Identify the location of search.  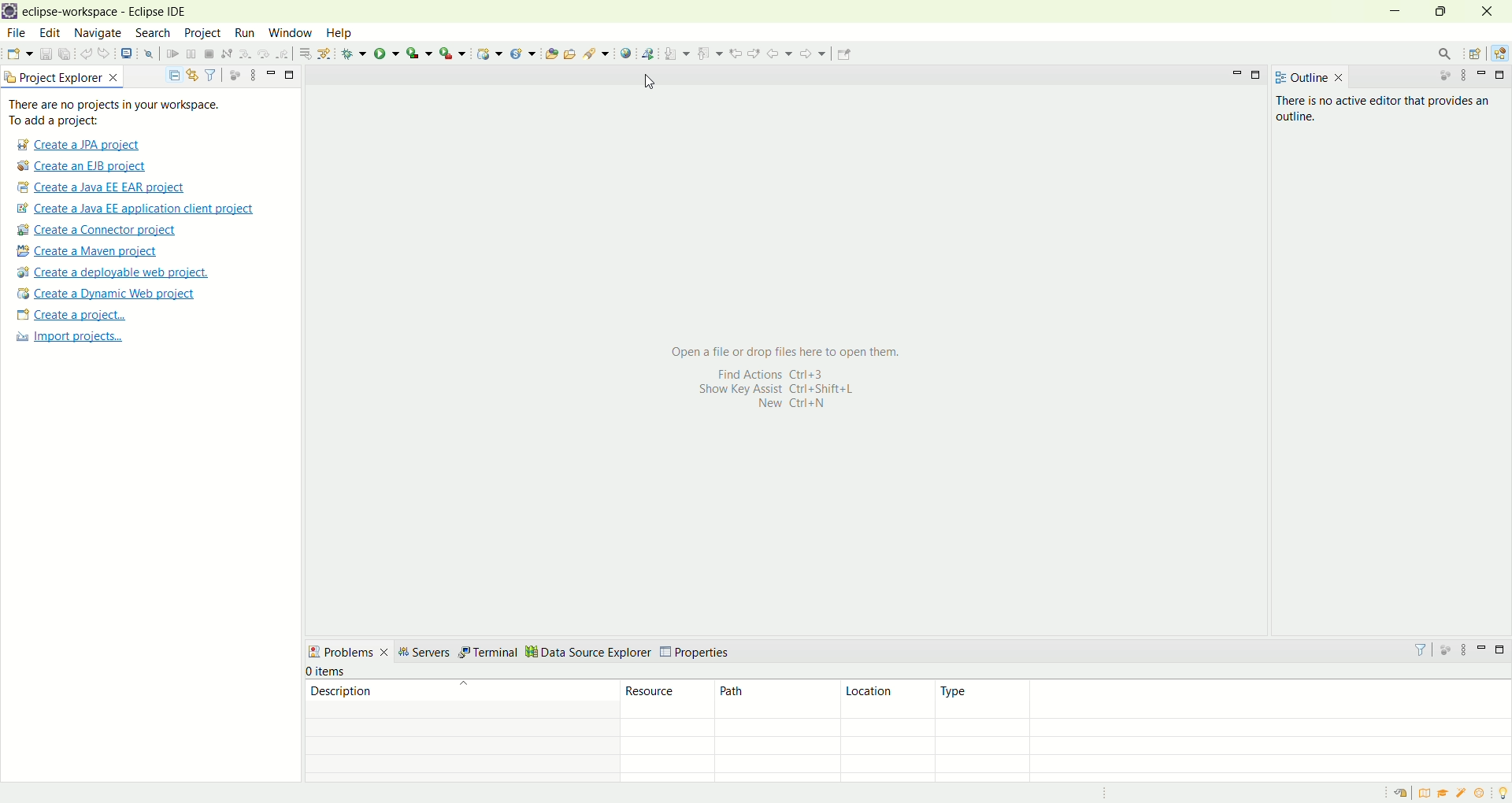
(597, 53).